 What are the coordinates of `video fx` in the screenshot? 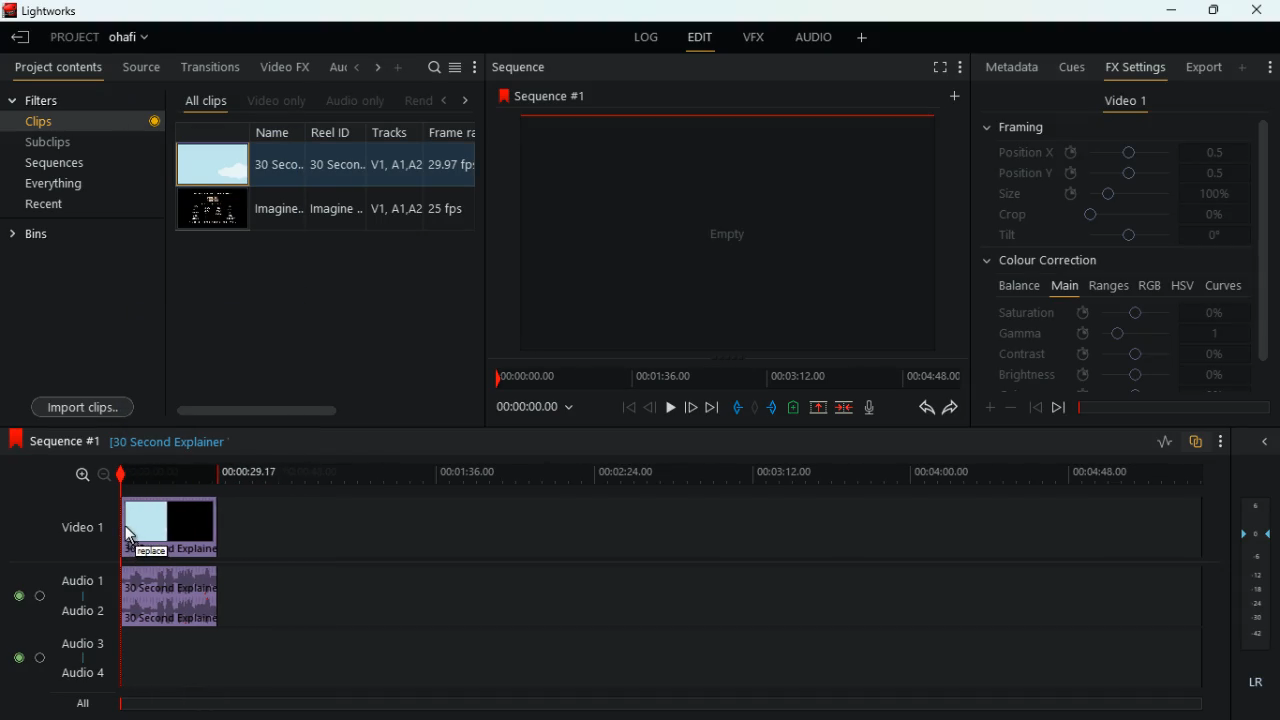 It's located at (286, 68).